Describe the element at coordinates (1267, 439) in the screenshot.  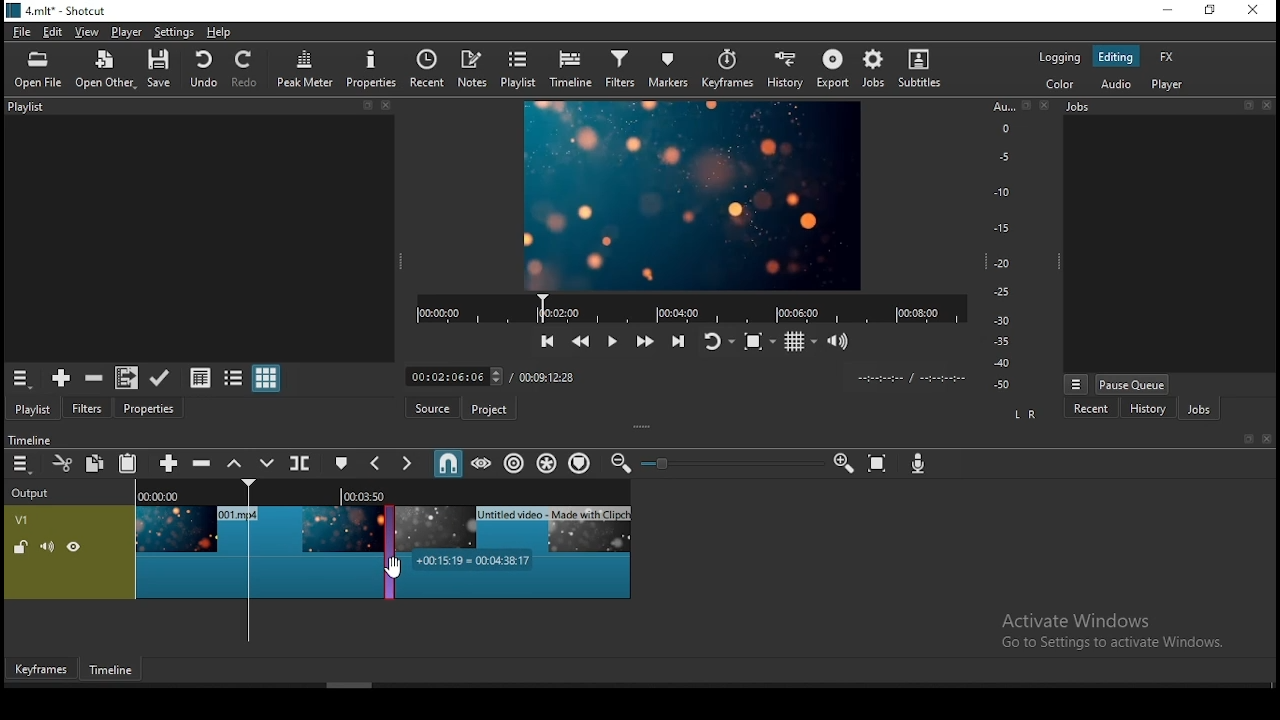
I see `close` at that location.